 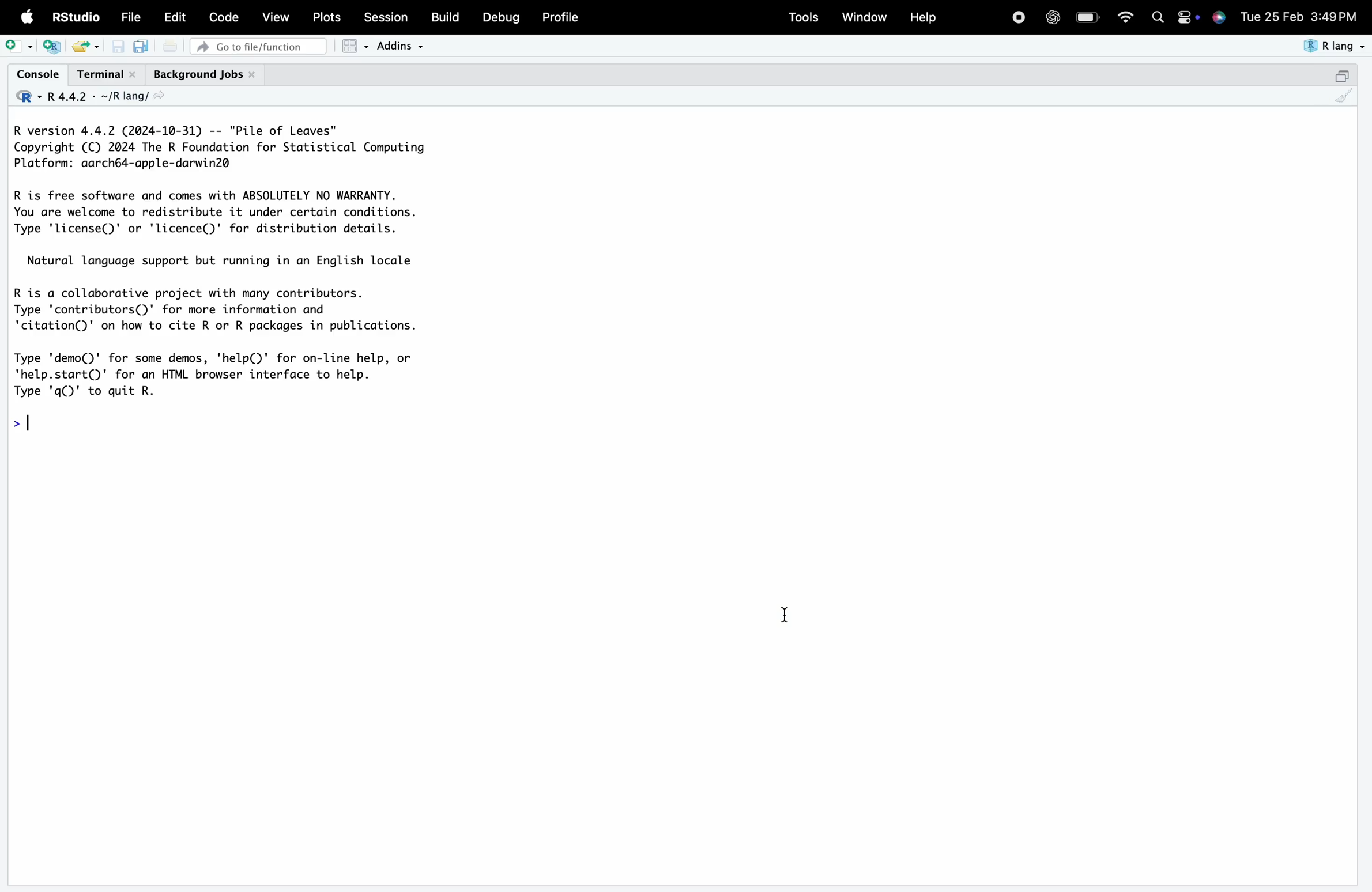 What do you see at coordinates (223, 17) in the screenshot?
I see `Code` at bounding box center [223, 17].